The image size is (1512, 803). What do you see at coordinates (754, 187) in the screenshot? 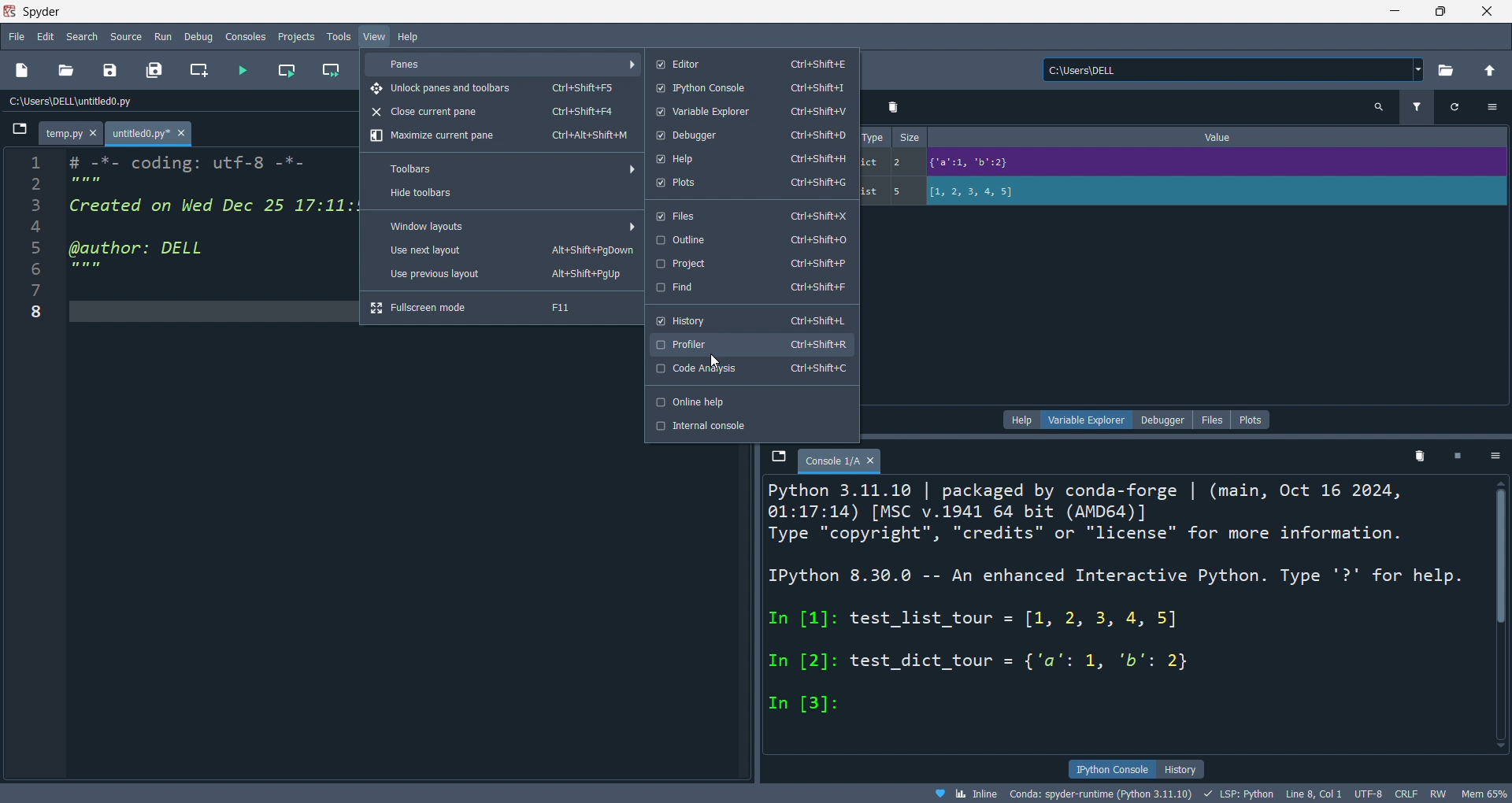
I see `plots` at bounding box center [754, 187].